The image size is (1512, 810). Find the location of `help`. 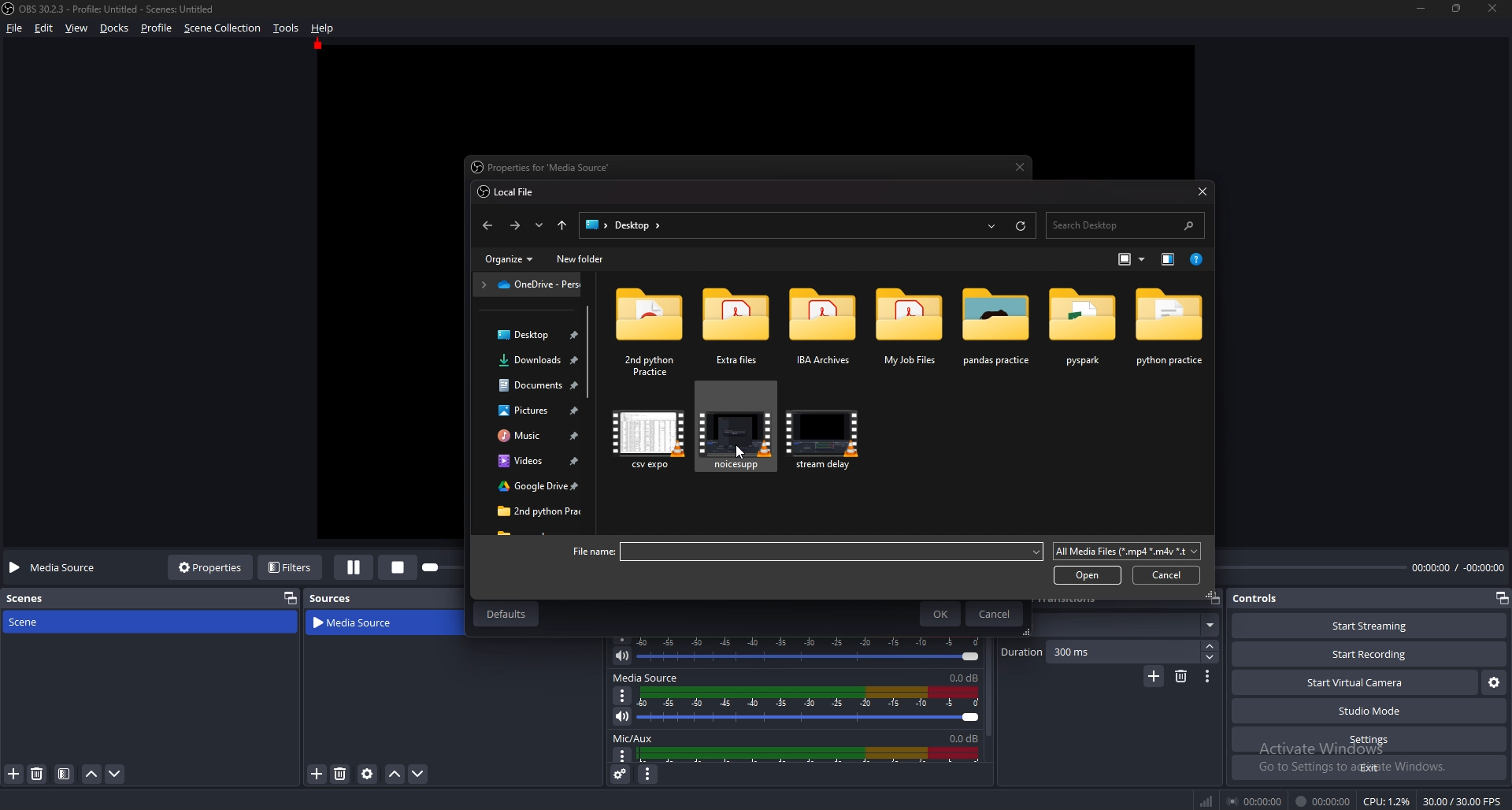

help is located at coordinates (323, 28).